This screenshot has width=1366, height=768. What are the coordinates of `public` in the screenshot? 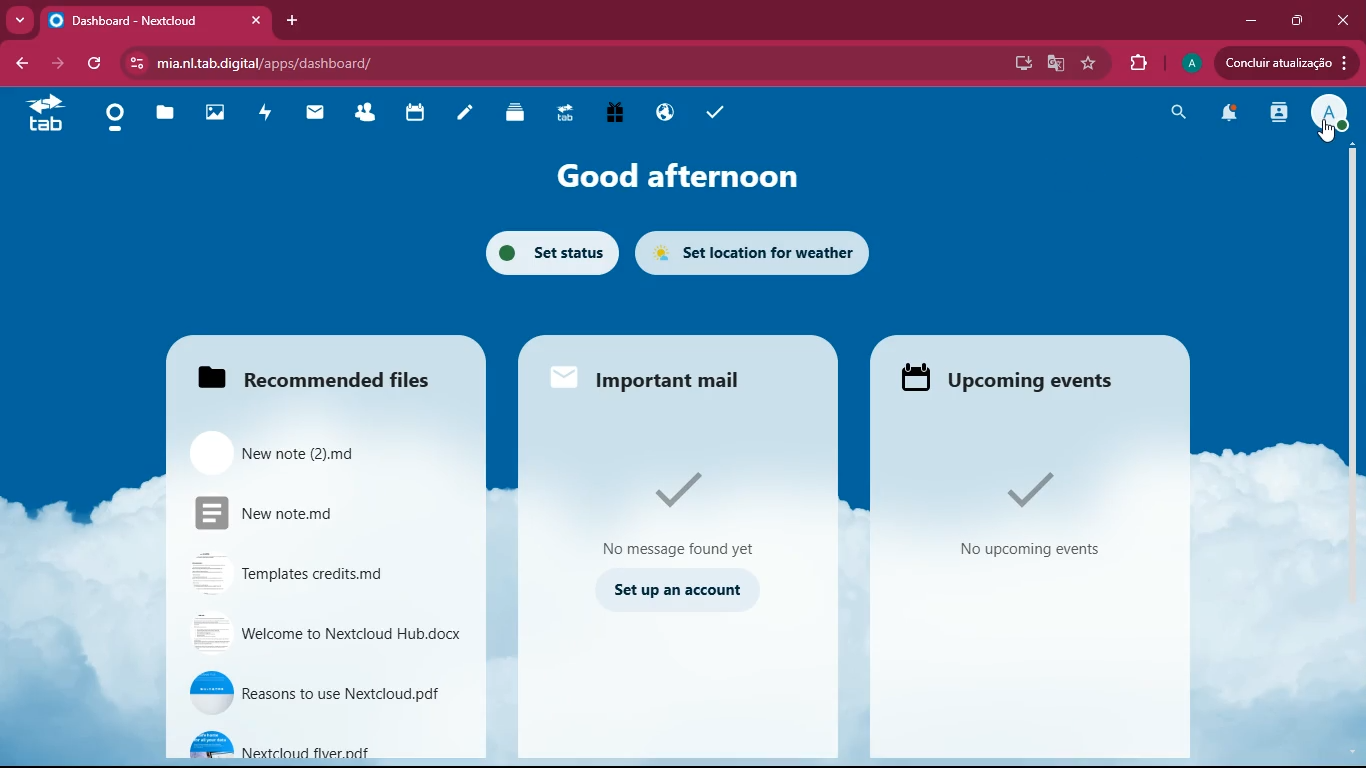 It's located at (661, 111).